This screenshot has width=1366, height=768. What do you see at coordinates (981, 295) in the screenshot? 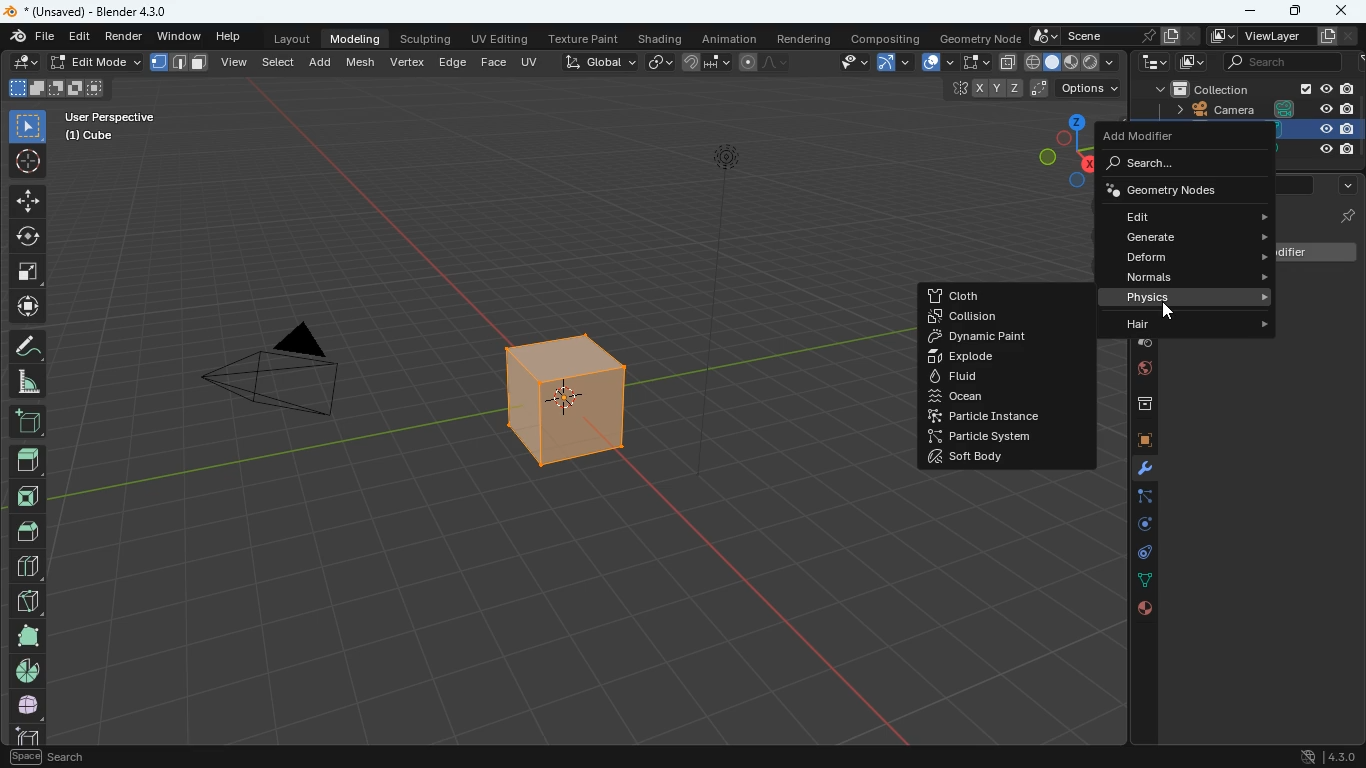
I see `cloth` at bounding box center [981, 295].